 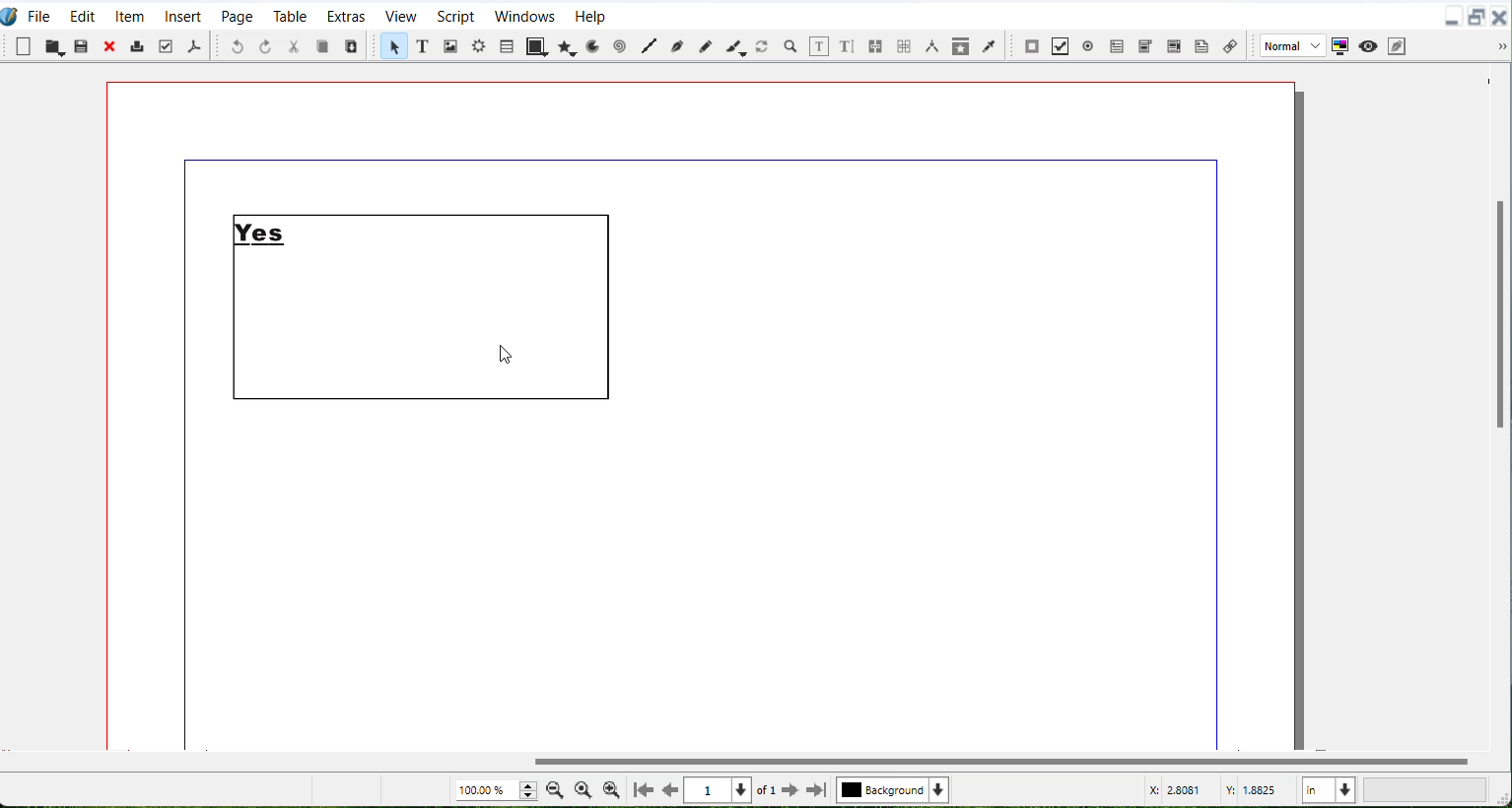 What do you see at coordinates (732, 790) in the screenshot?
I see `Select Current page` at bounding box center [732, 790].